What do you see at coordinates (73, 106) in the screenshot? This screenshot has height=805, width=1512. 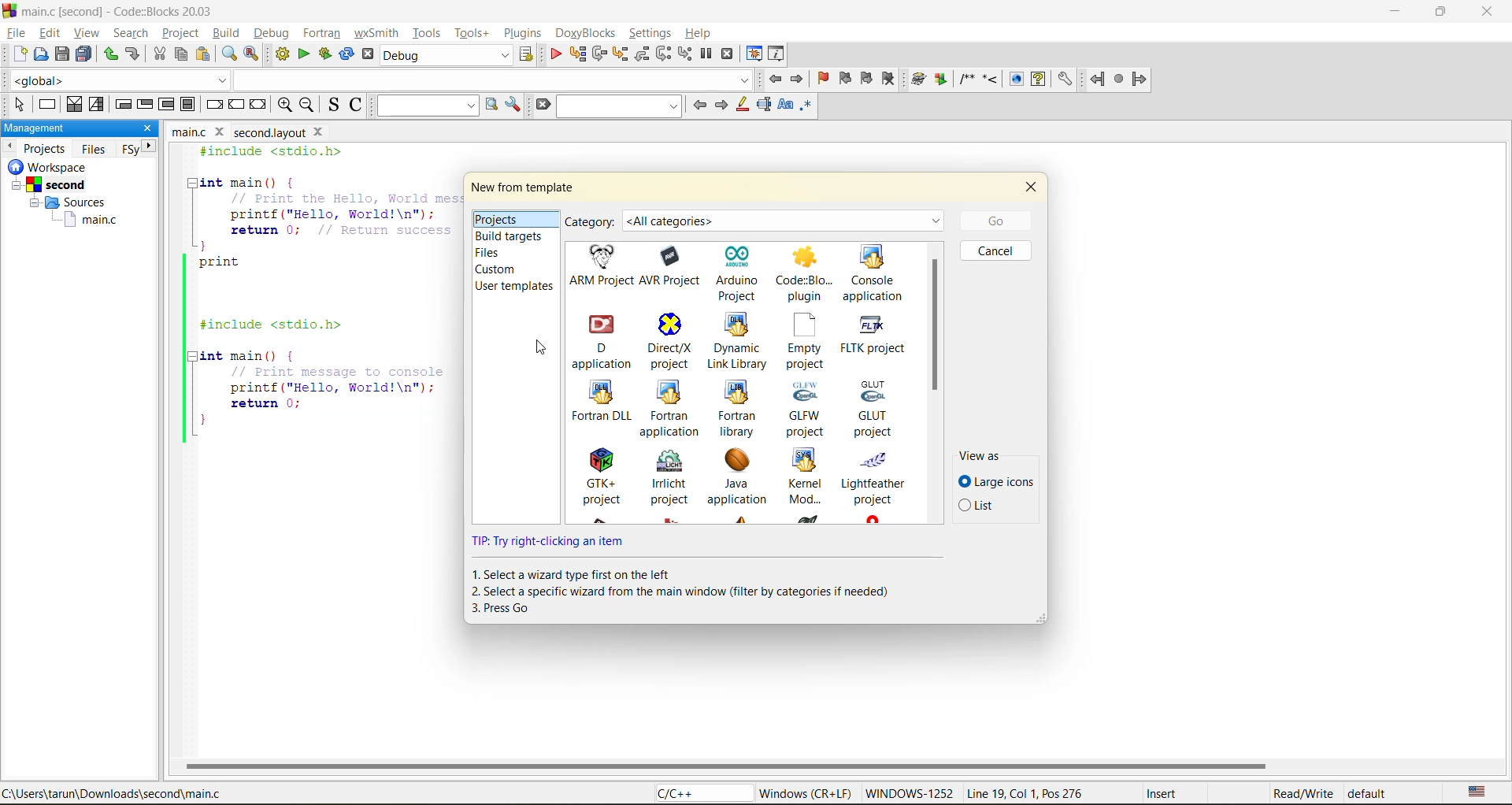 I see `decision` at bounding box center [73, 106].